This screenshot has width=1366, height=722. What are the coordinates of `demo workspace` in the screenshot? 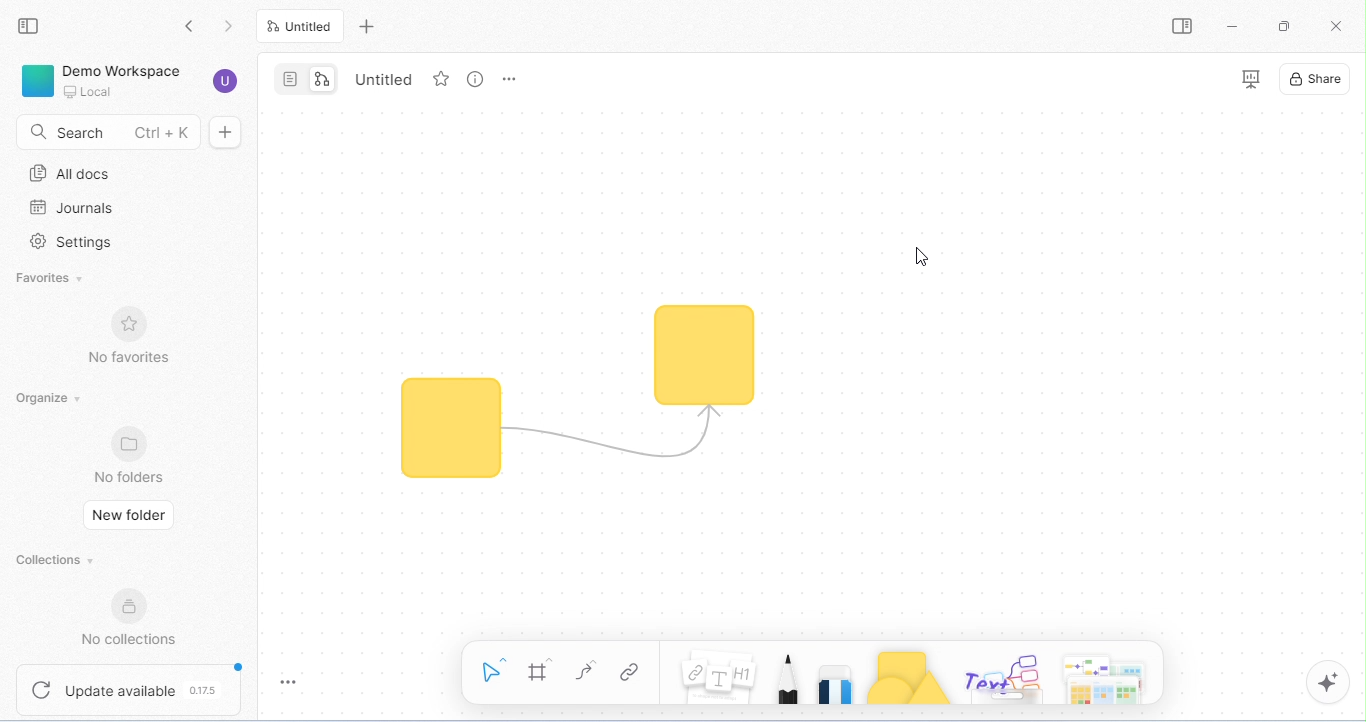 It's located at (101, 79).